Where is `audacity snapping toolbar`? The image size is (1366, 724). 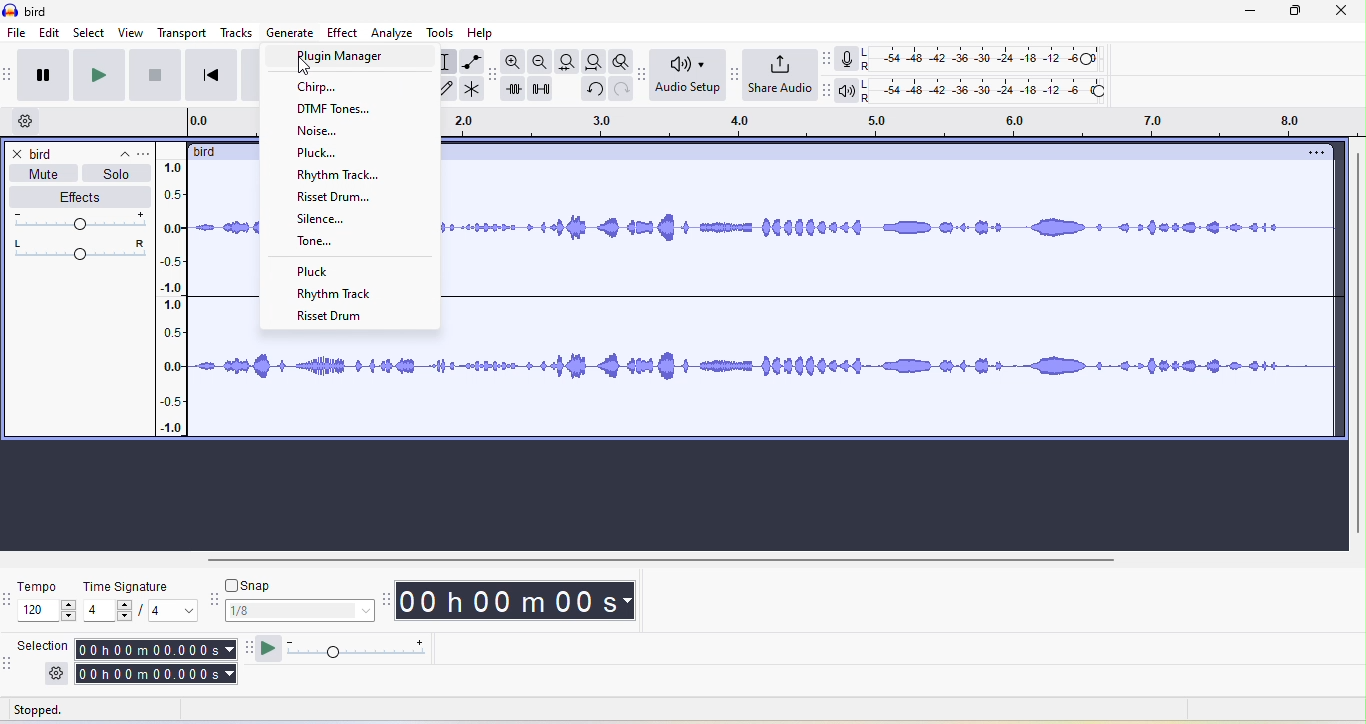 audacity snapping toolbar is located at coordinates (213, 601).